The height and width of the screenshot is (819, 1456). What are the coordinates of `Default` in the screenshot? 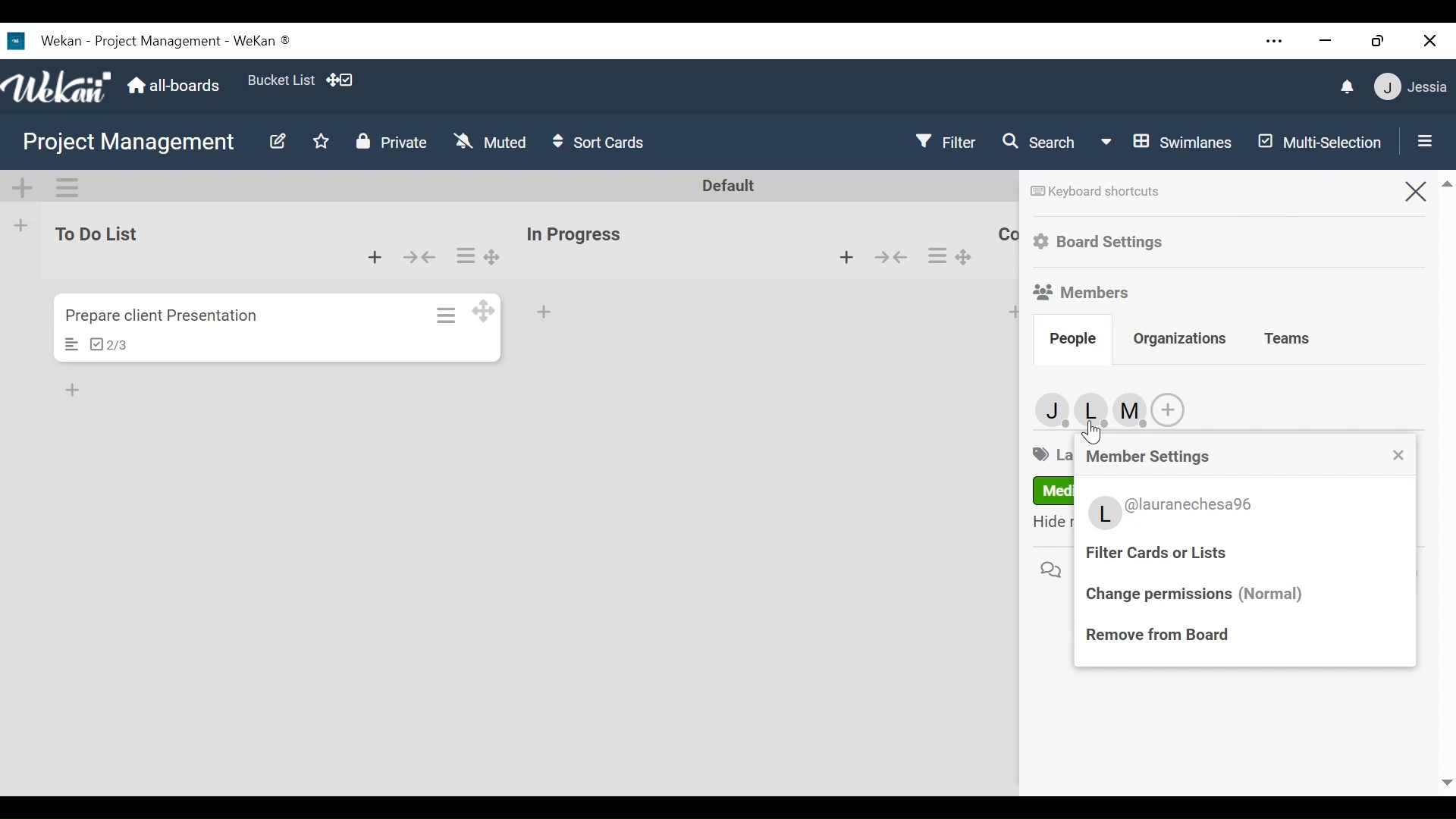 It's located at (730, 186).